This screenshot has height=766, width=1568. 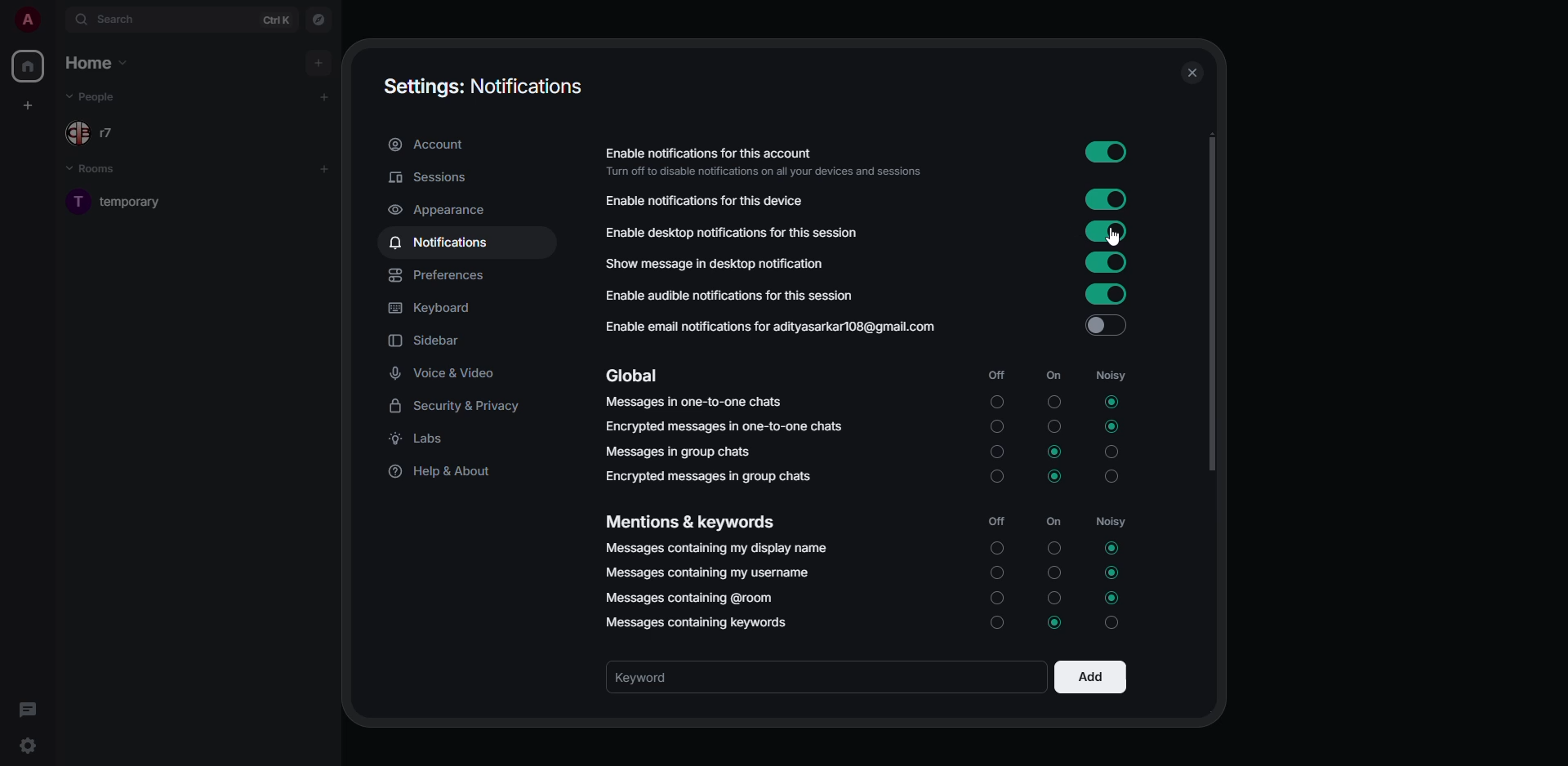 What do you see at coordinates (1114, 375) in the screenshot?
I see `noisy` at bounding box center [1114, 375].